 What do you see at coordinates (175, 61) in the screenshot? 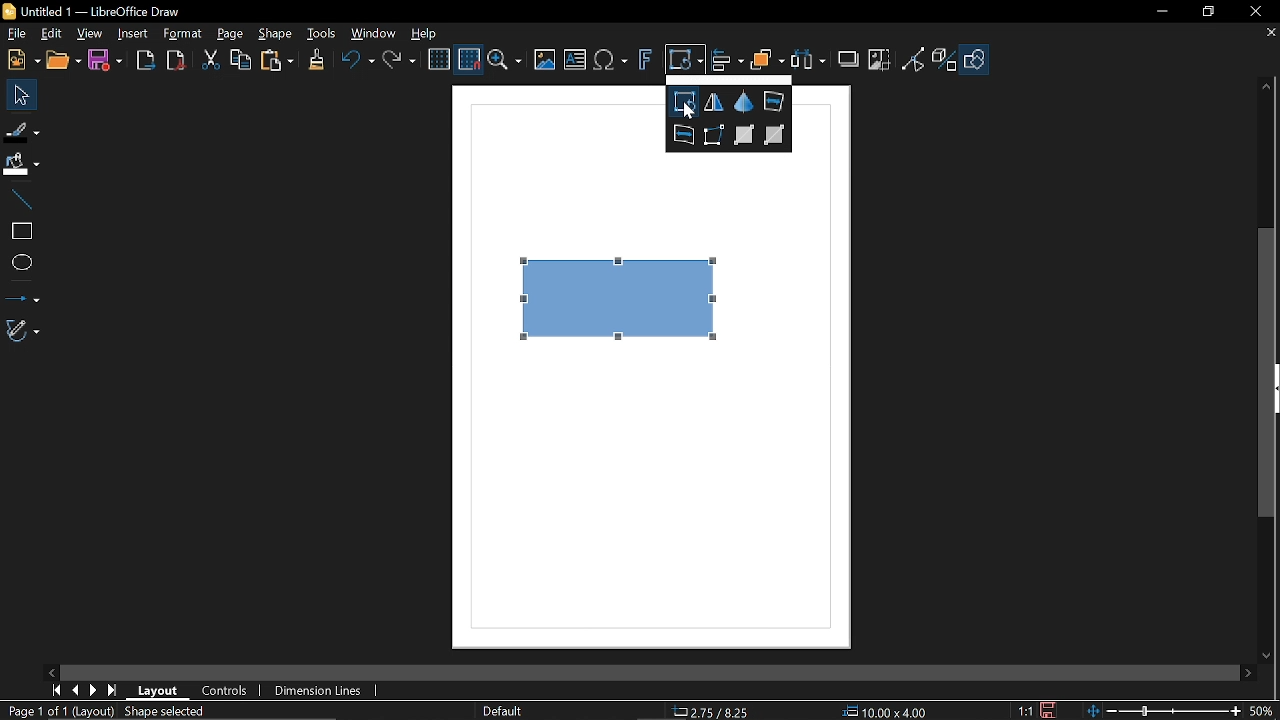
I see `Export as pdf` at bounding box center [175, 61].